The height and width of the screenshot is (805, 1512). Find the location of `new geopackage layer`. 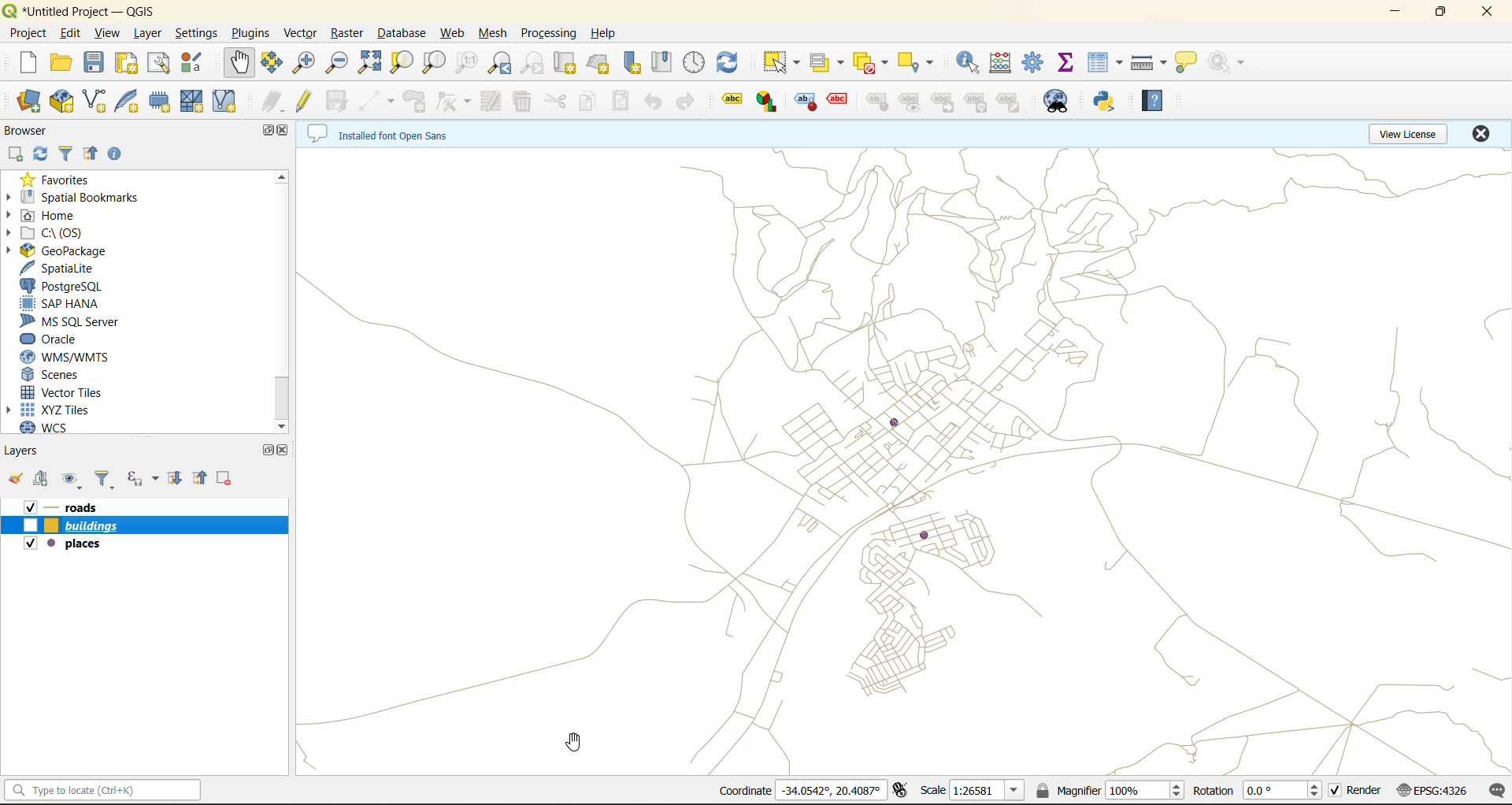

new geopackage layer is located at coordinates (64, 102).